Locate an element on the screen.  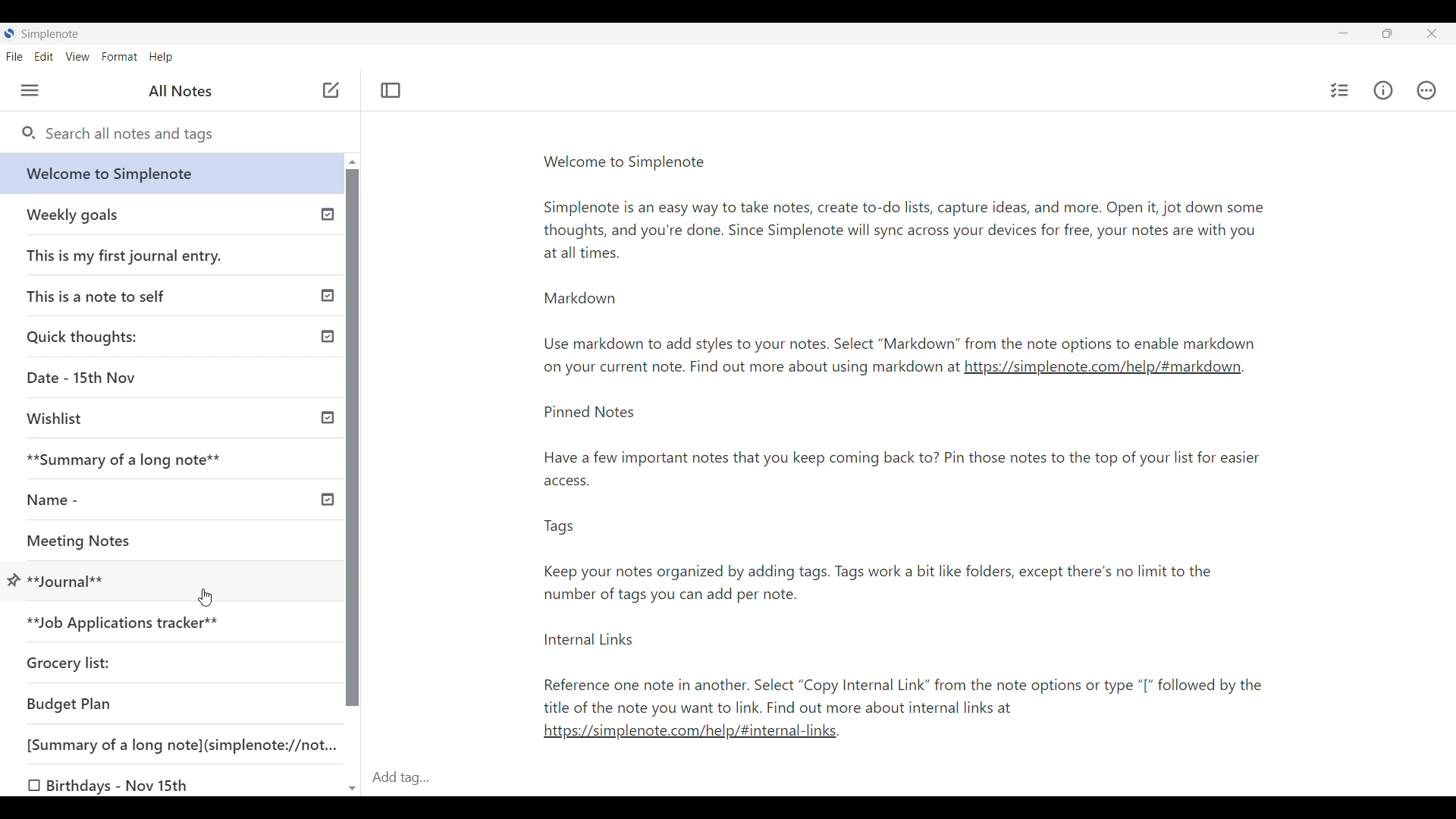
This is a note to self is located at coordinates (102, 295).